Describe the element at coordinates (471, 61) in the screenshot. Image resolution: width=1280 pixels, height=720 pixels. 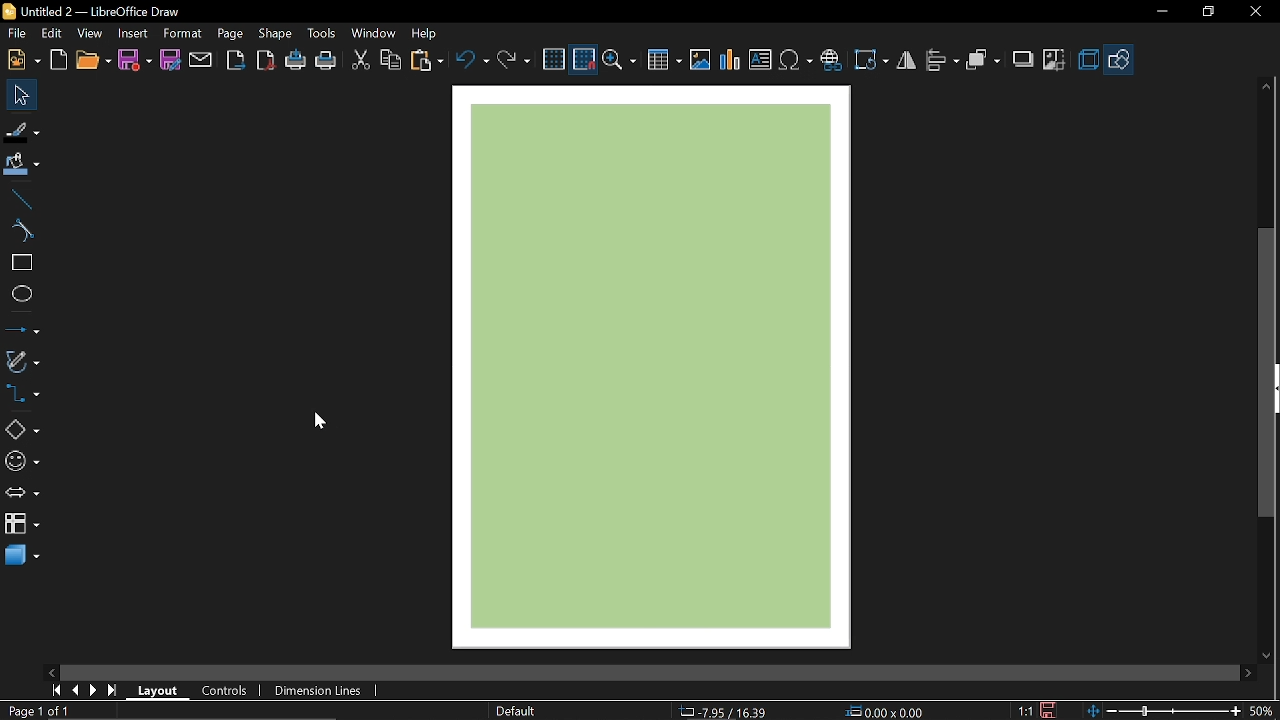
I see `UNdo` at that location.